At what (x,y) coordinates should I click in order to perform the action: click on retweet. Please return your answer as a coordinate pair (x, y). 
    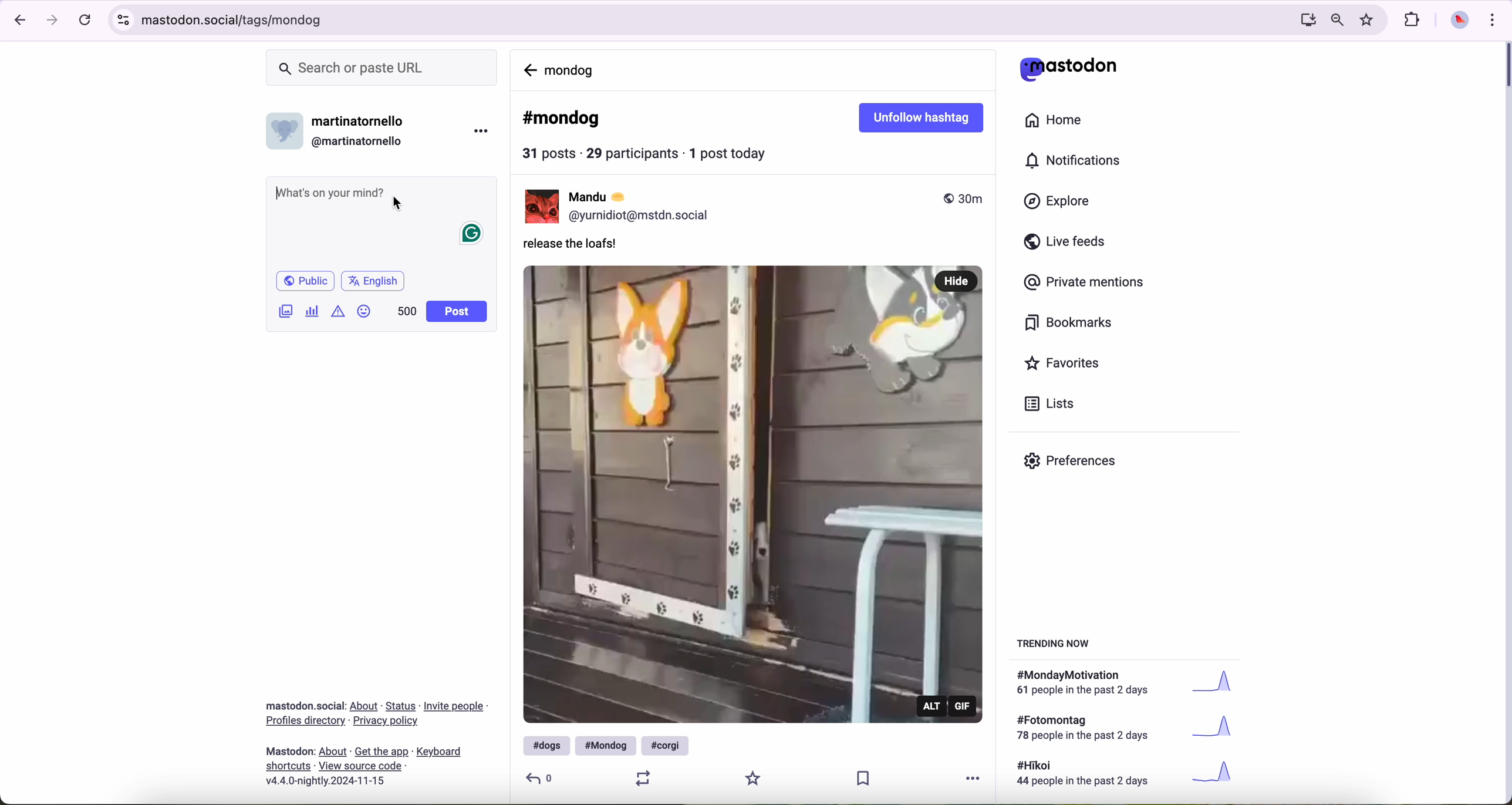
    Looking at the image, I should click on (640, 777).